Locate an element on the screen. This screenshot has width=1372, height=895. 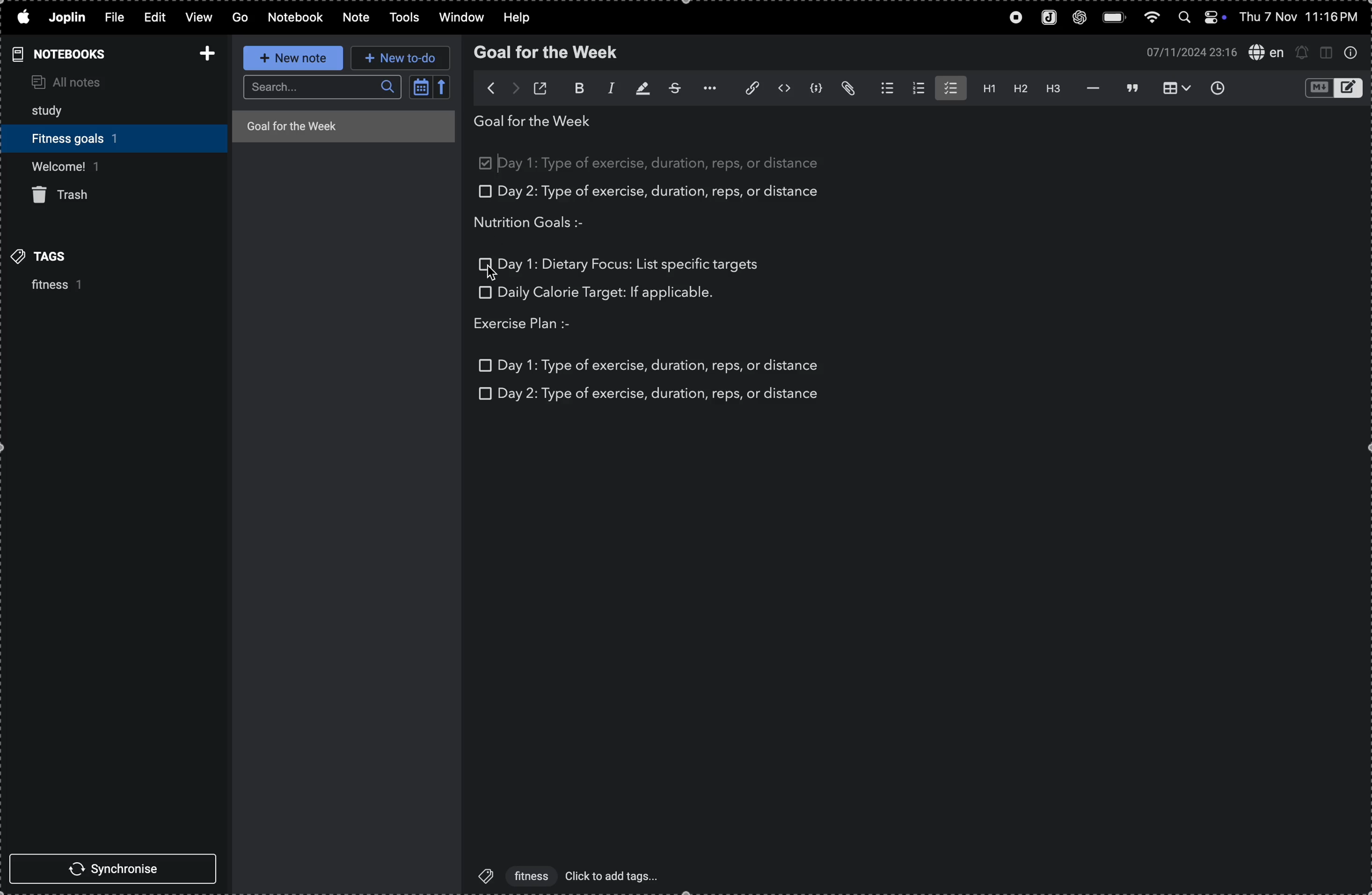
fitness goals 1 is located at coordinates (84, 136).